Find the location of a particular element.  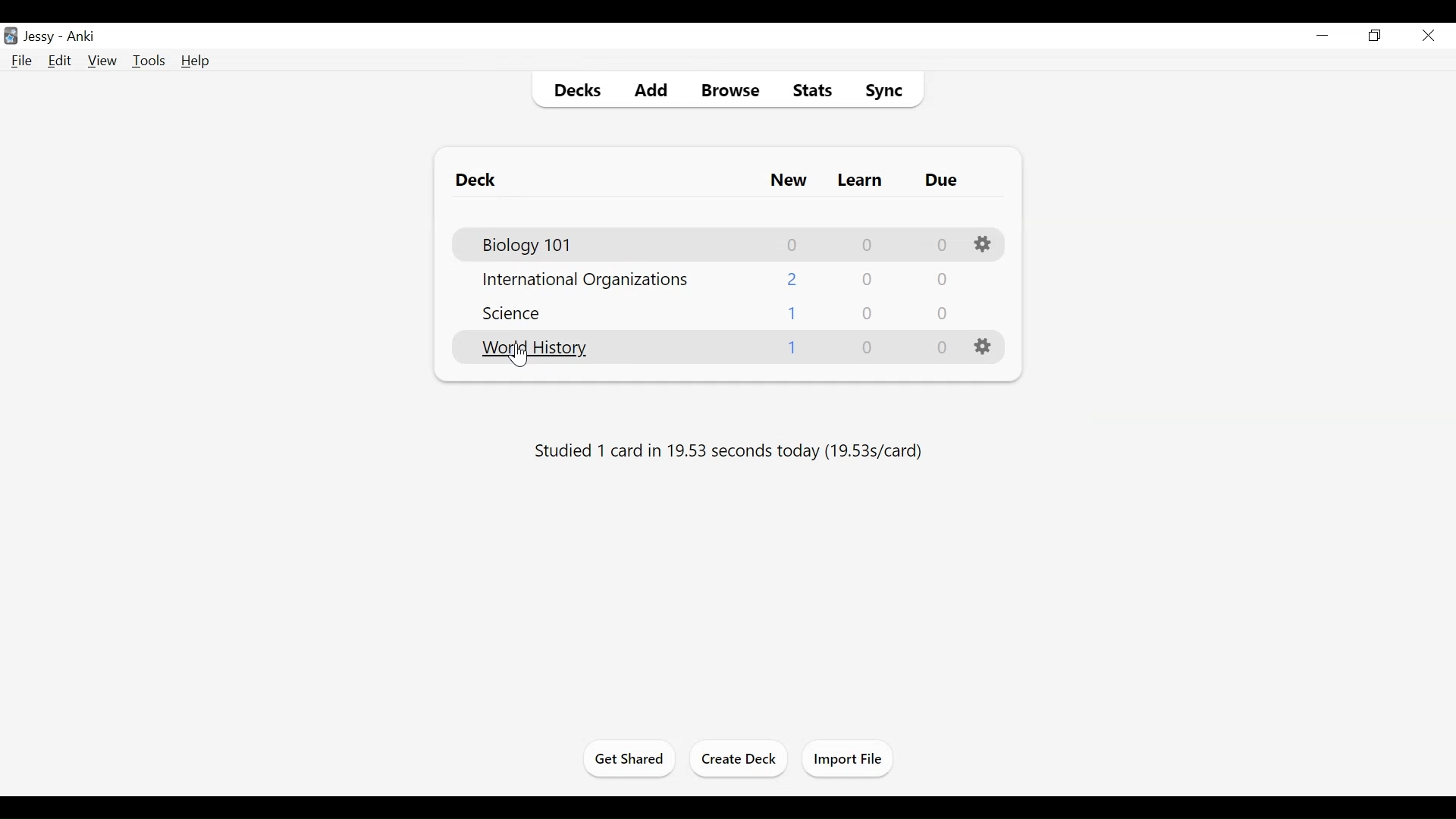

Edit is located at coordinates (60, 61).